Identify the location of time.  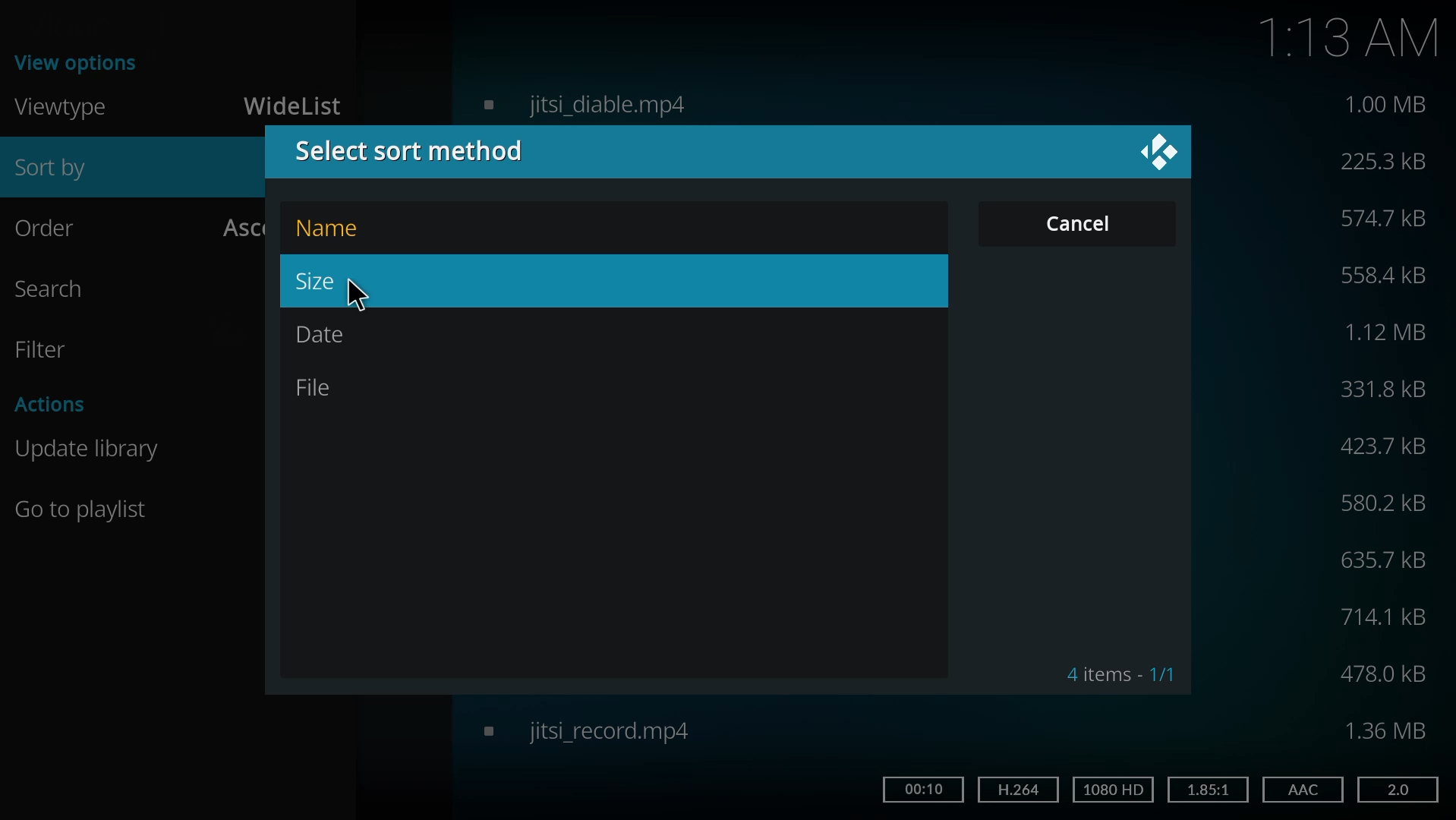
(925, 791).